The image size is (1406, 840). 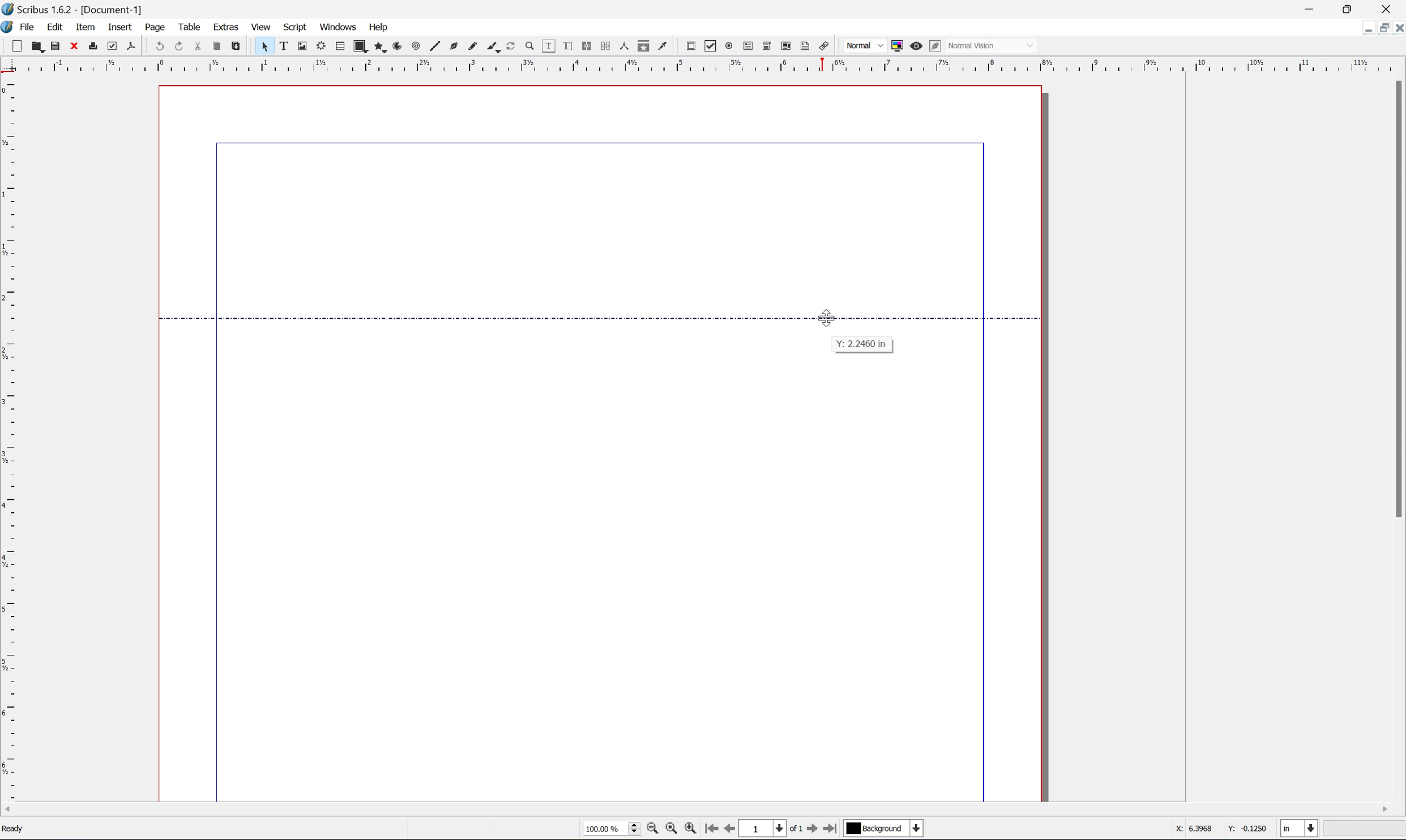 What do you see at coordinates (750, 46) in the screenshot?
I see `pdf text field` at bounding box center [750, 46].